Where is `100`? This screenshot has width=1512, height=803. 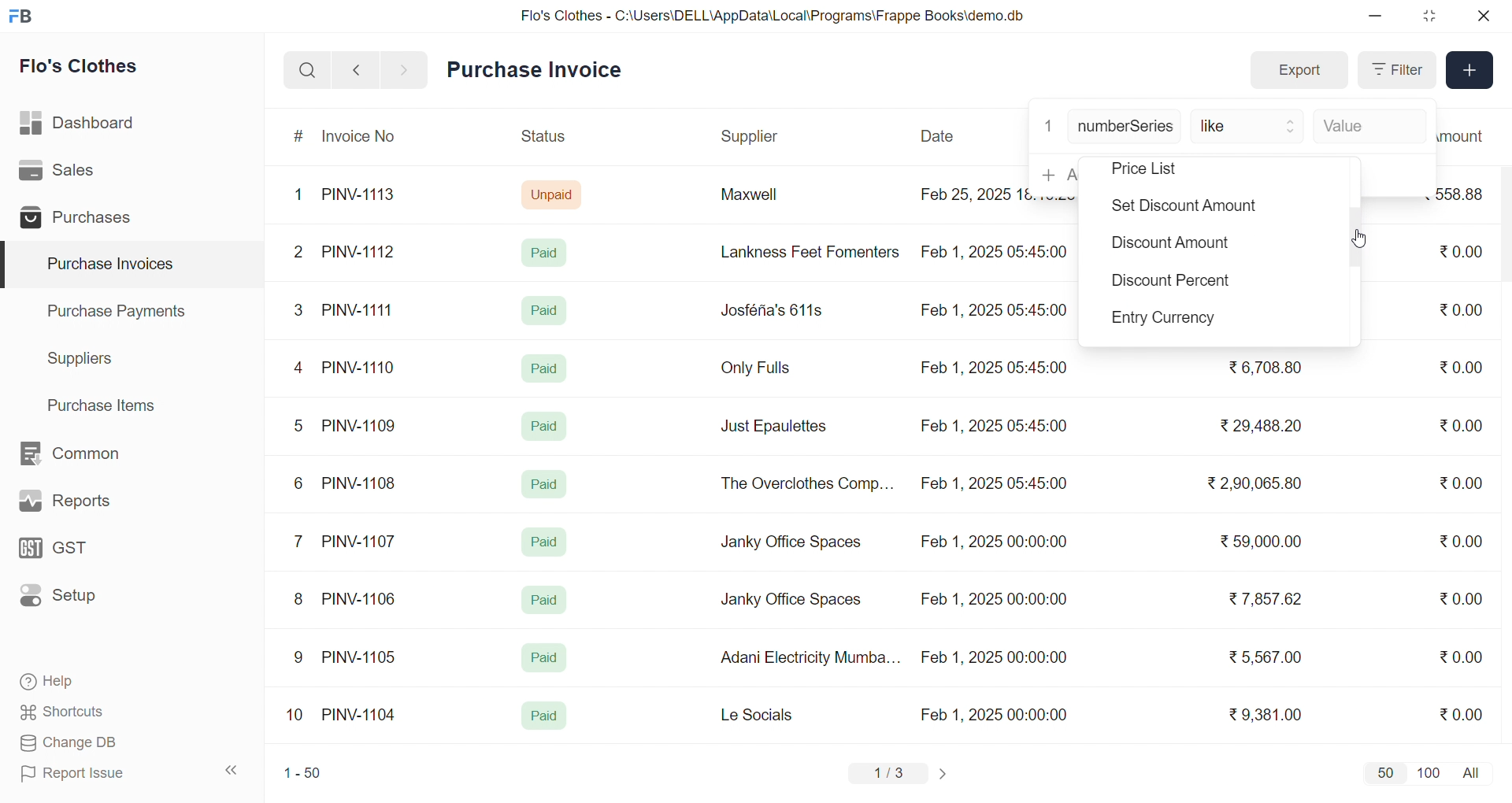 100 is located at coordinates (1426, 772).